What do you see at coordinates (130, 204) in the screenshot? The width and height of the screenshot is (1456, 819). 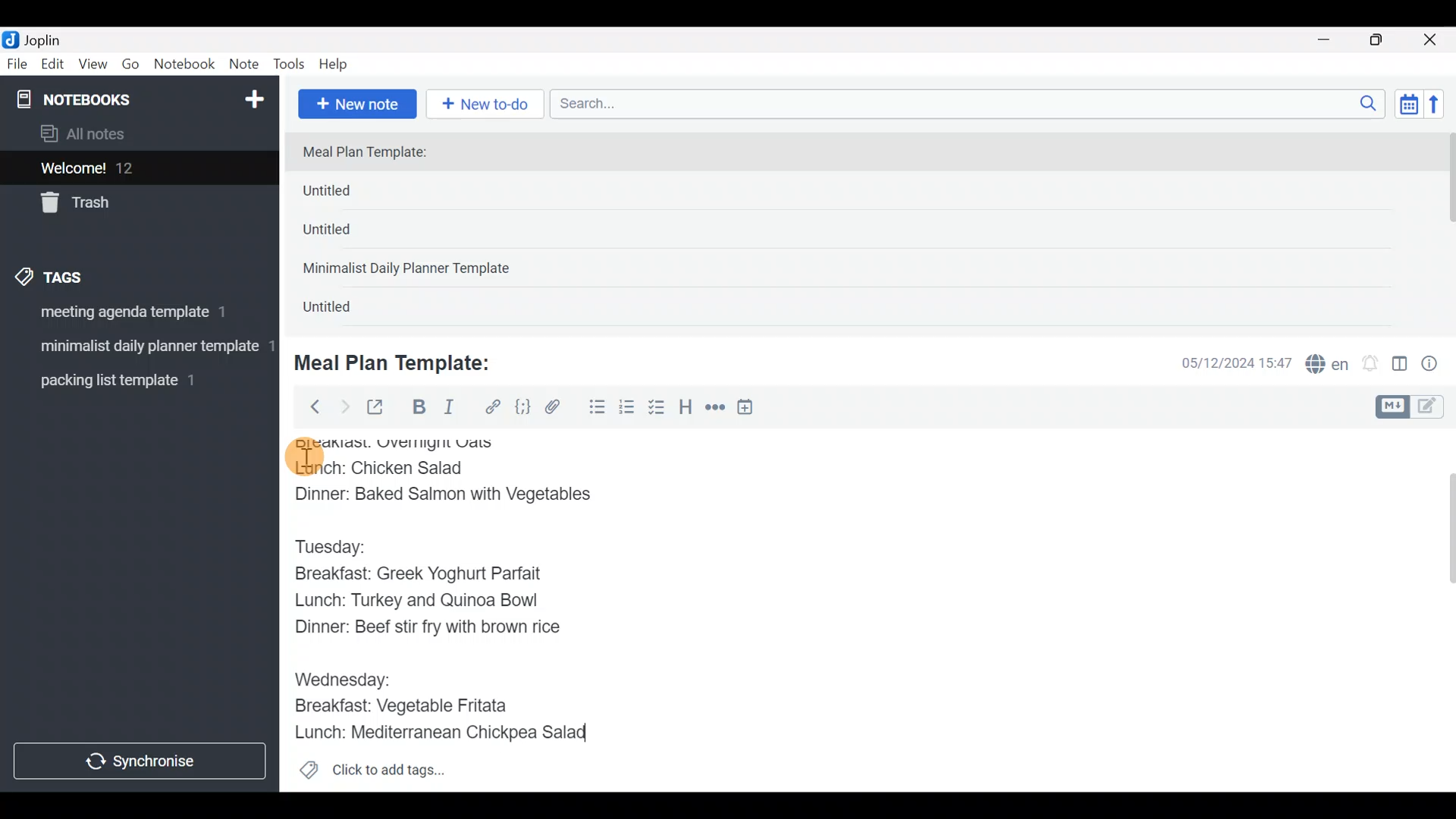 I see `Trash` at bounding box center [130, 204].